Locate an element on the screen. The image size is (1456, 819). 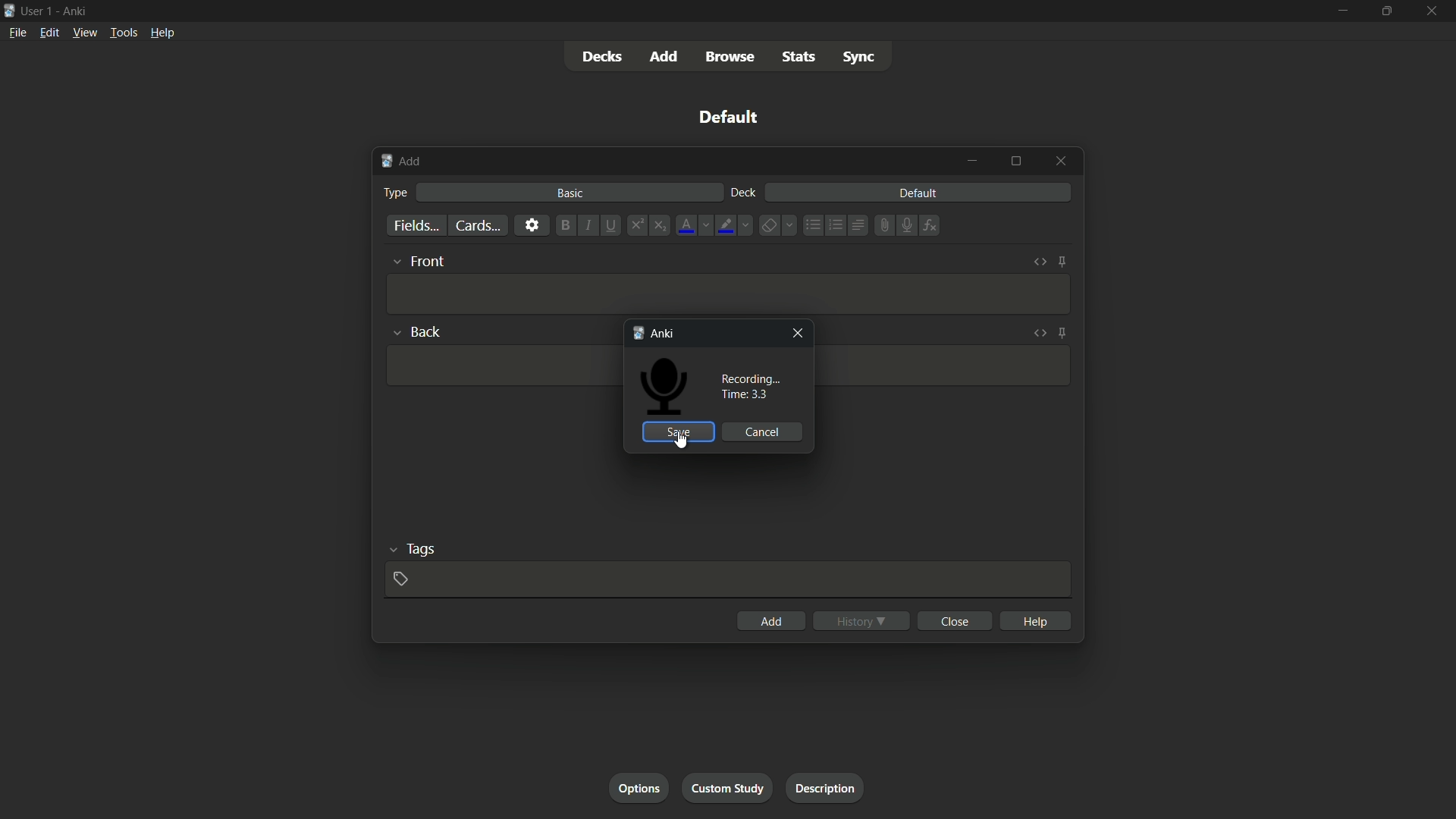
history is located at coordinates (861, 620).